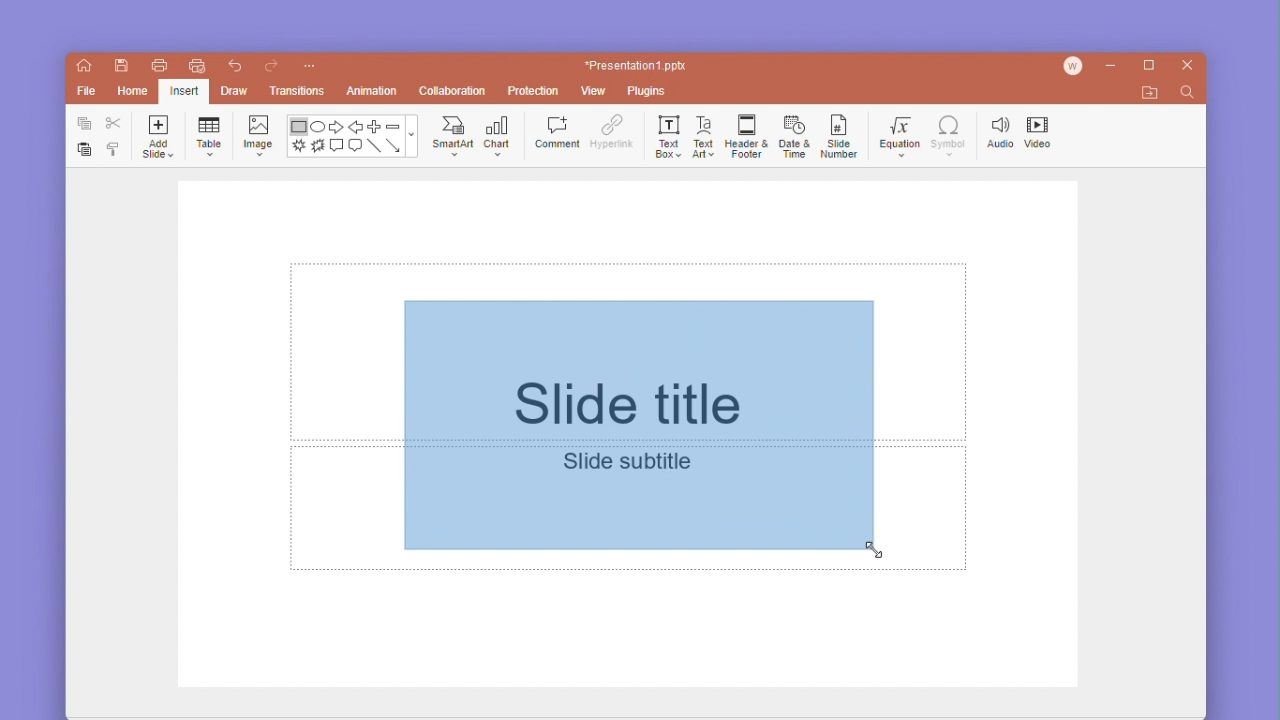 Image resolution: width=1280 pixels, height=720 pixels. I want to click on collaboration, so click(453, 90).